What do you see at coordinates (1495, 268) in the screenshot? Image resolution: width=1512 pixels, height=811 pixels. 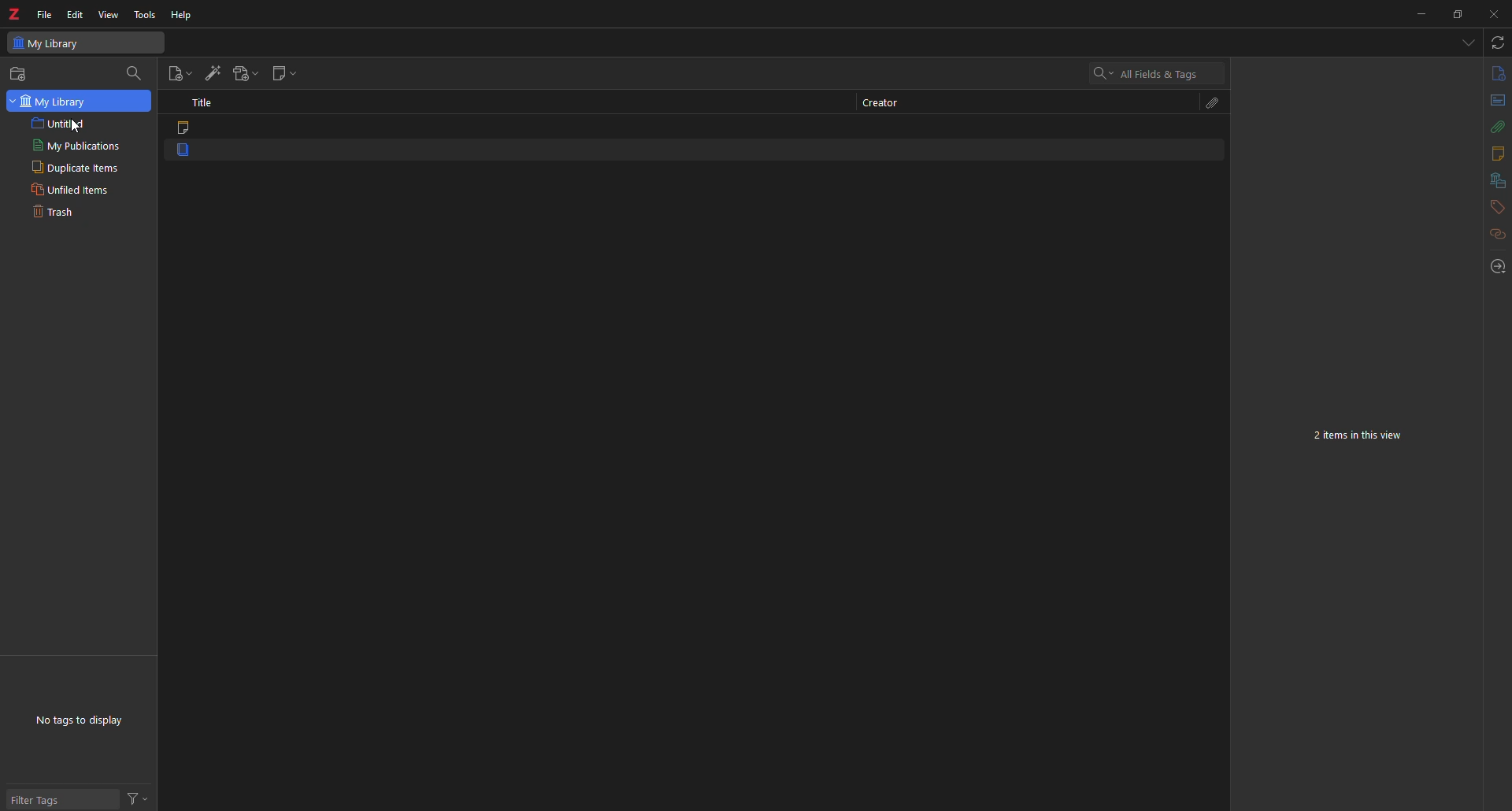 I see `locate` at bounding box center [1495, 268].